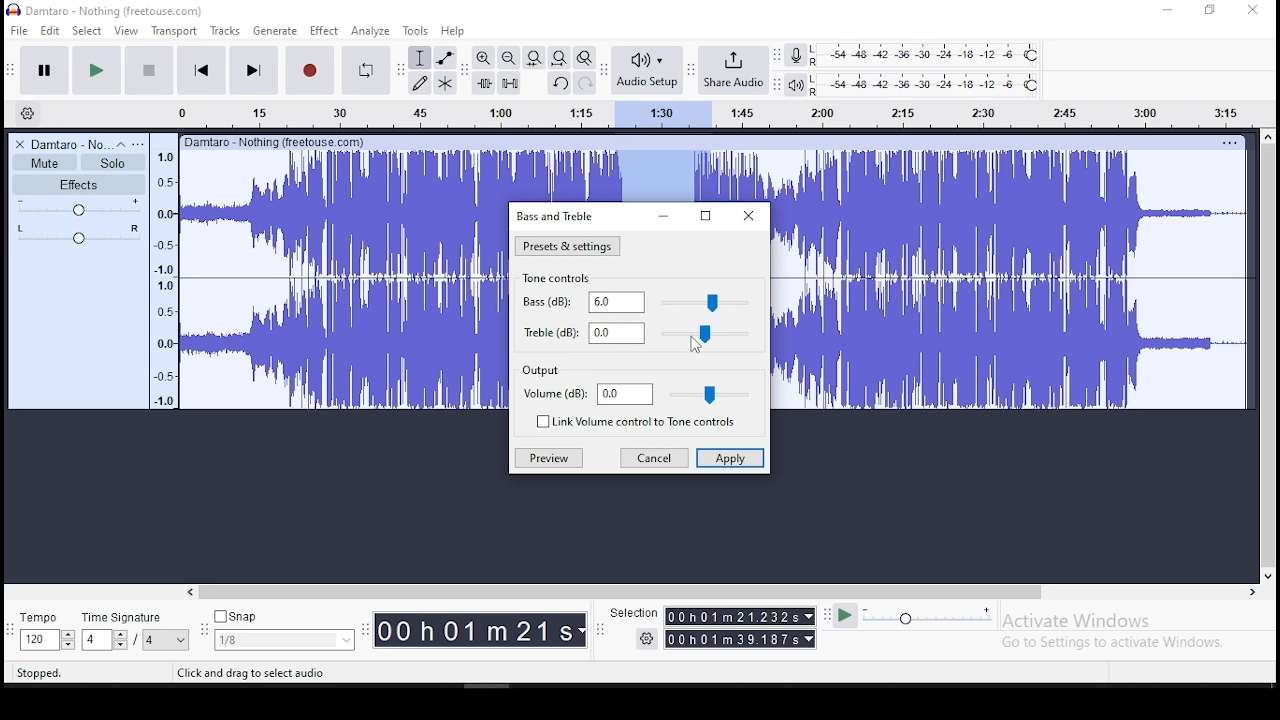  What do you see at coordinates (720, 592) in the screenshot?
I see `horizontal scroll bar` at bounding box center [720, 592].